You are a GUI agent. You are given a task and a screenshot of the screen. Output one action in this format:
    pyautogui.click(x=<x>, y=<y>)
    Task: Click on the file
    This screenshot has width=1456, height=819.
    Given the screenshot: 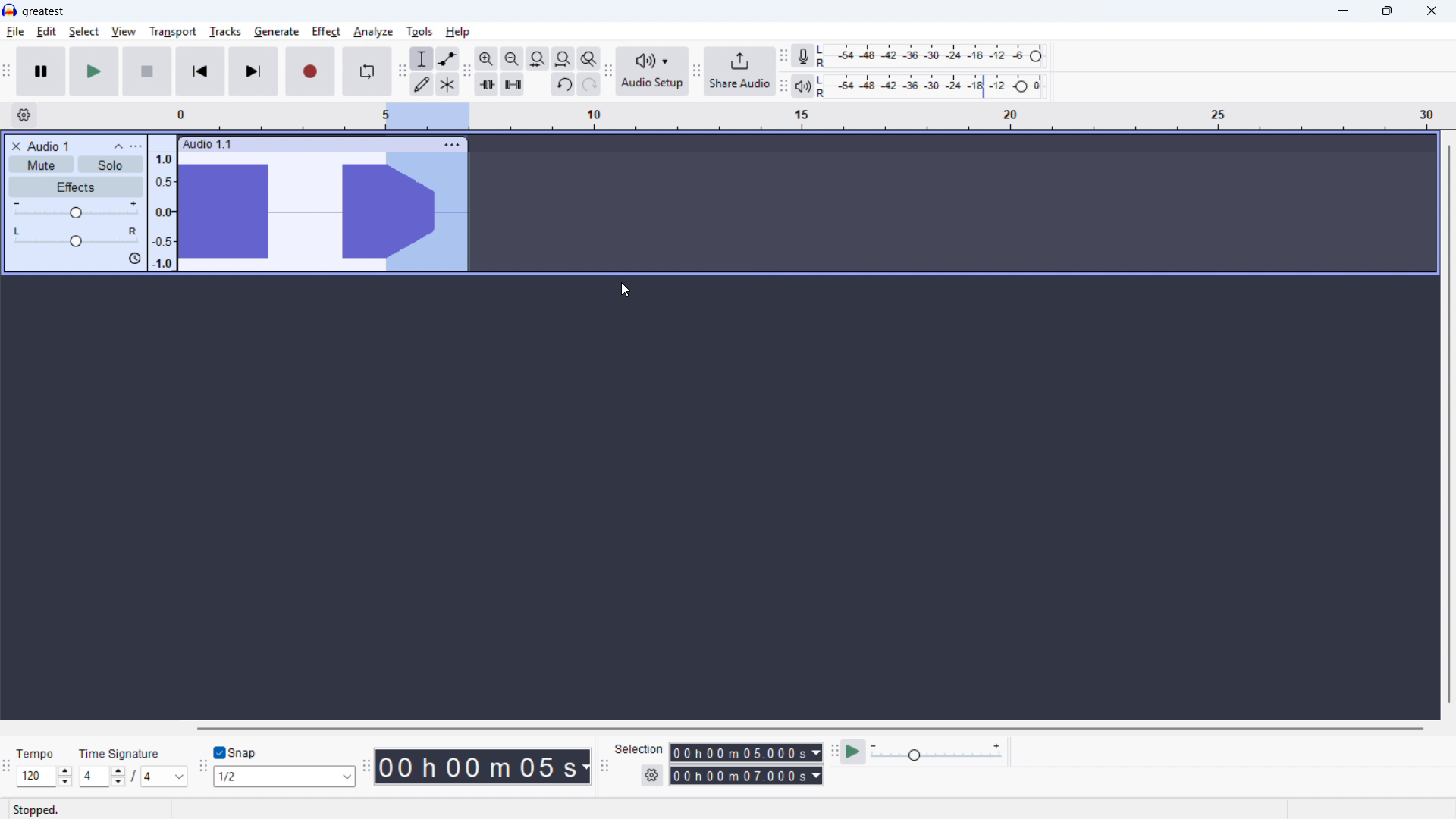 What is the action you would take?
    pyautogui.click(x=15, y=33)
    